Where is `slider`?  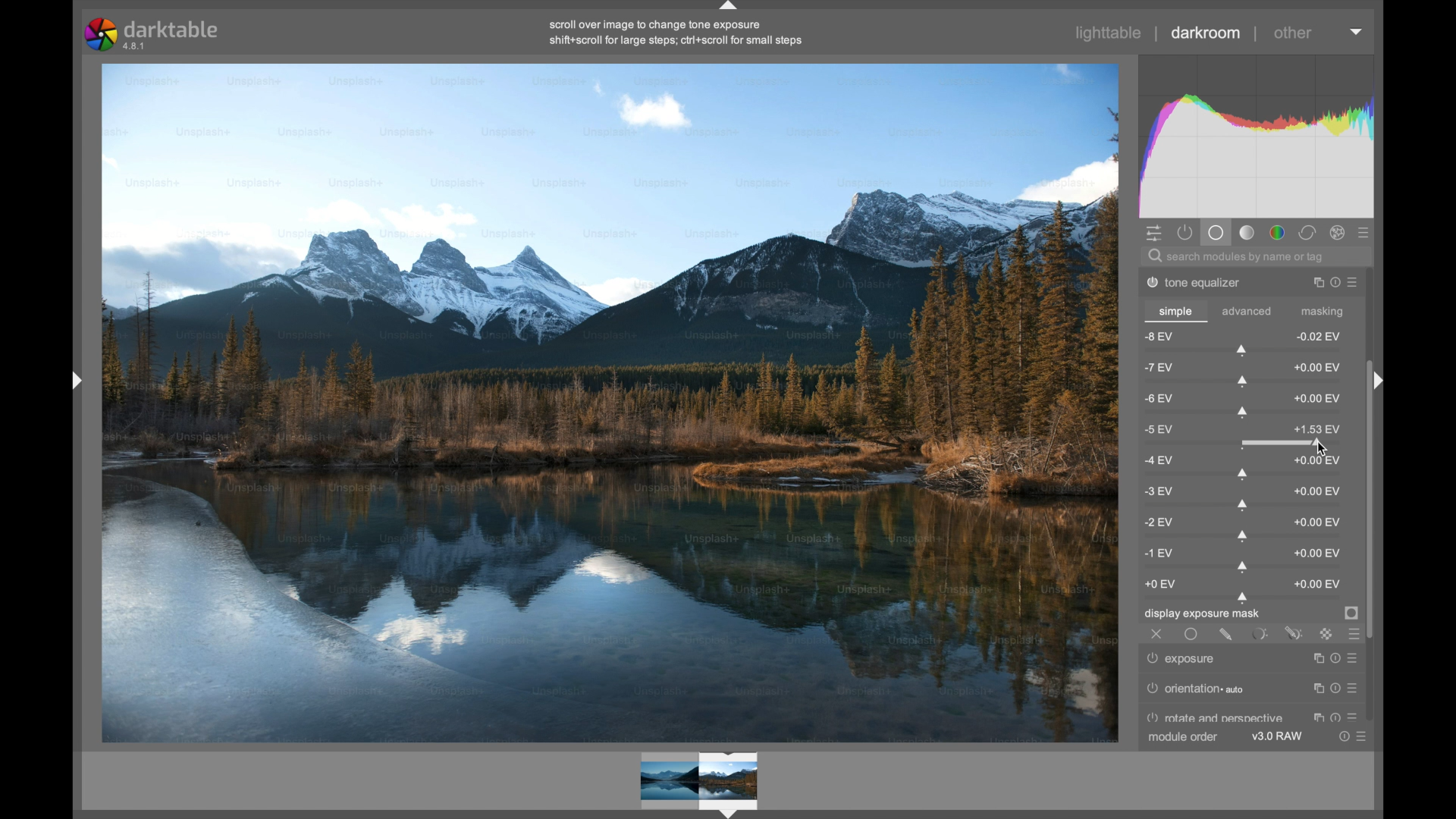 slider is located at coordinates (1244, 413).